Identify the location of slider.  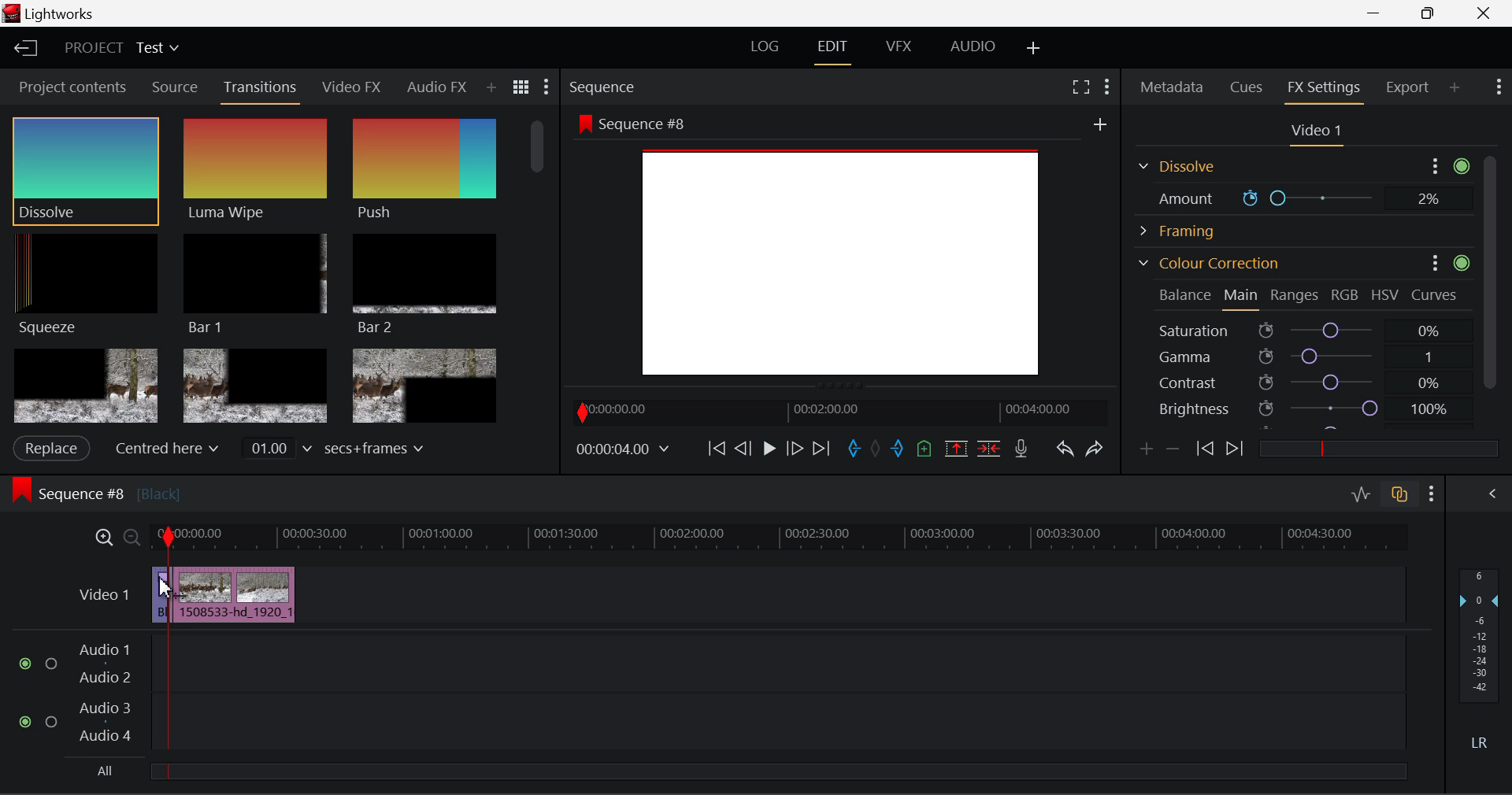
(777, 771).